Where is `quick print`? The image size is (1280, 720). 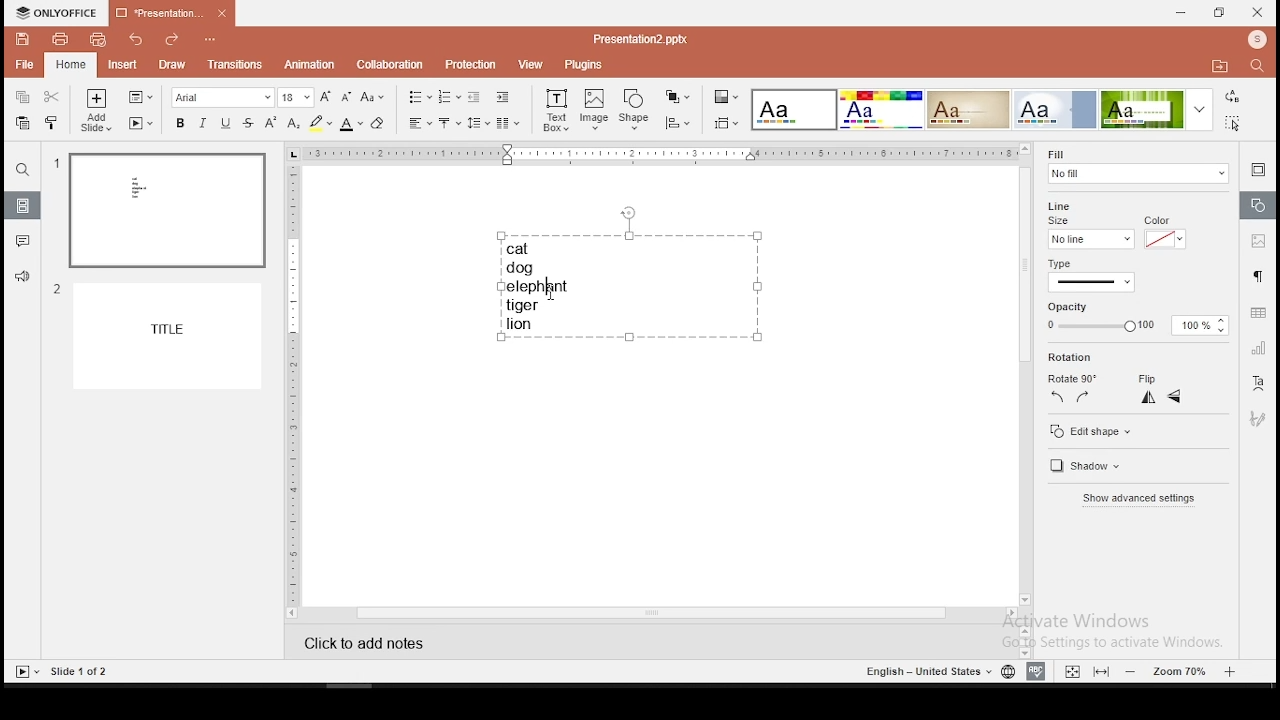
quick print is located at coordinates (98, 39).